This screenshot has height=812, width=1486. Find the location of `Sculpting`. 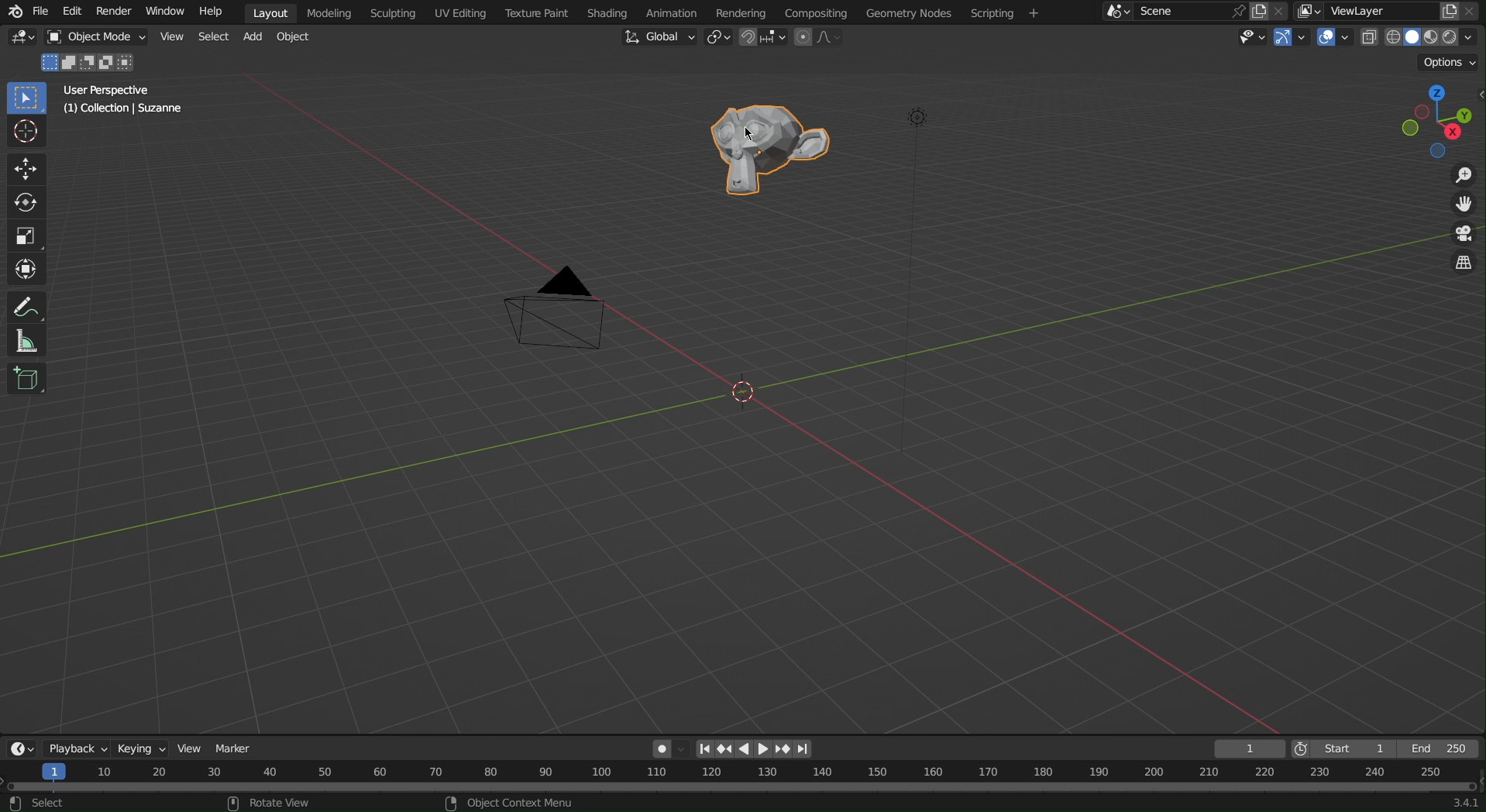

Sculpting is located at coordinates (389, 15).